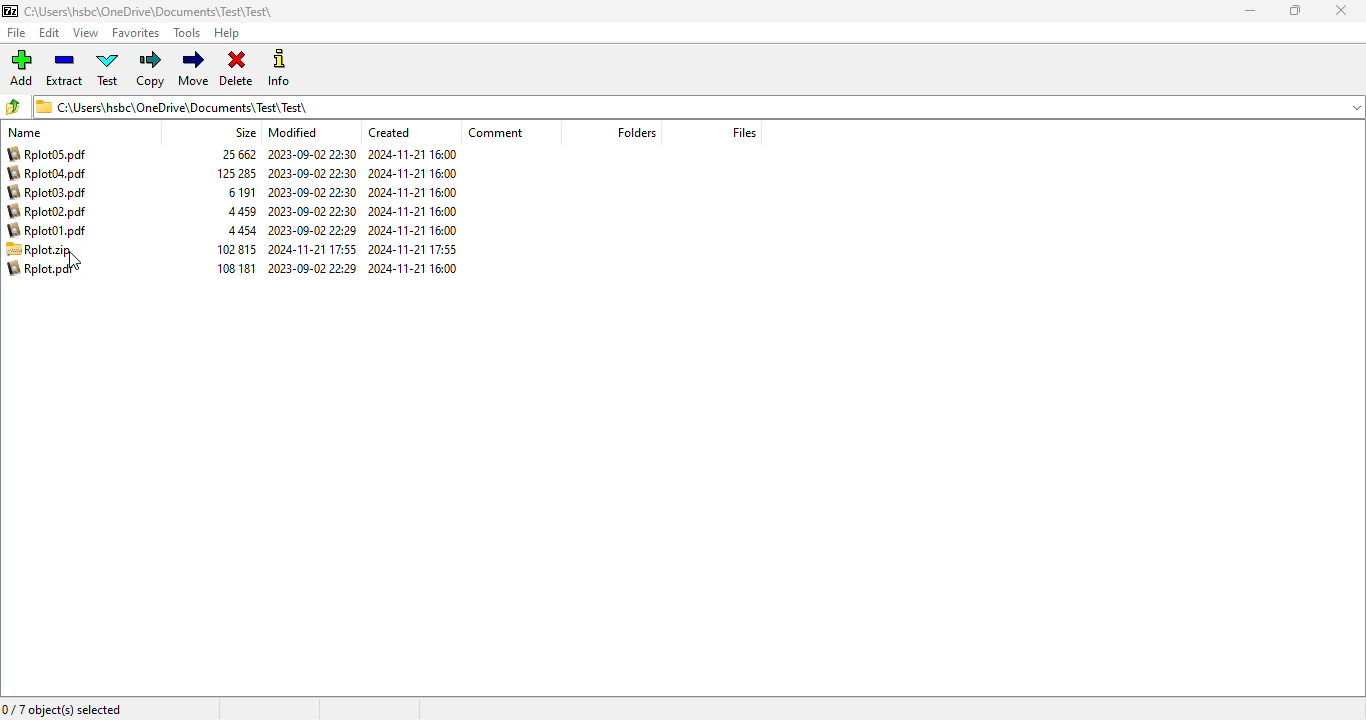 This screenshot has height=720, width=1366. I want to click on extract, so click(63, 68).